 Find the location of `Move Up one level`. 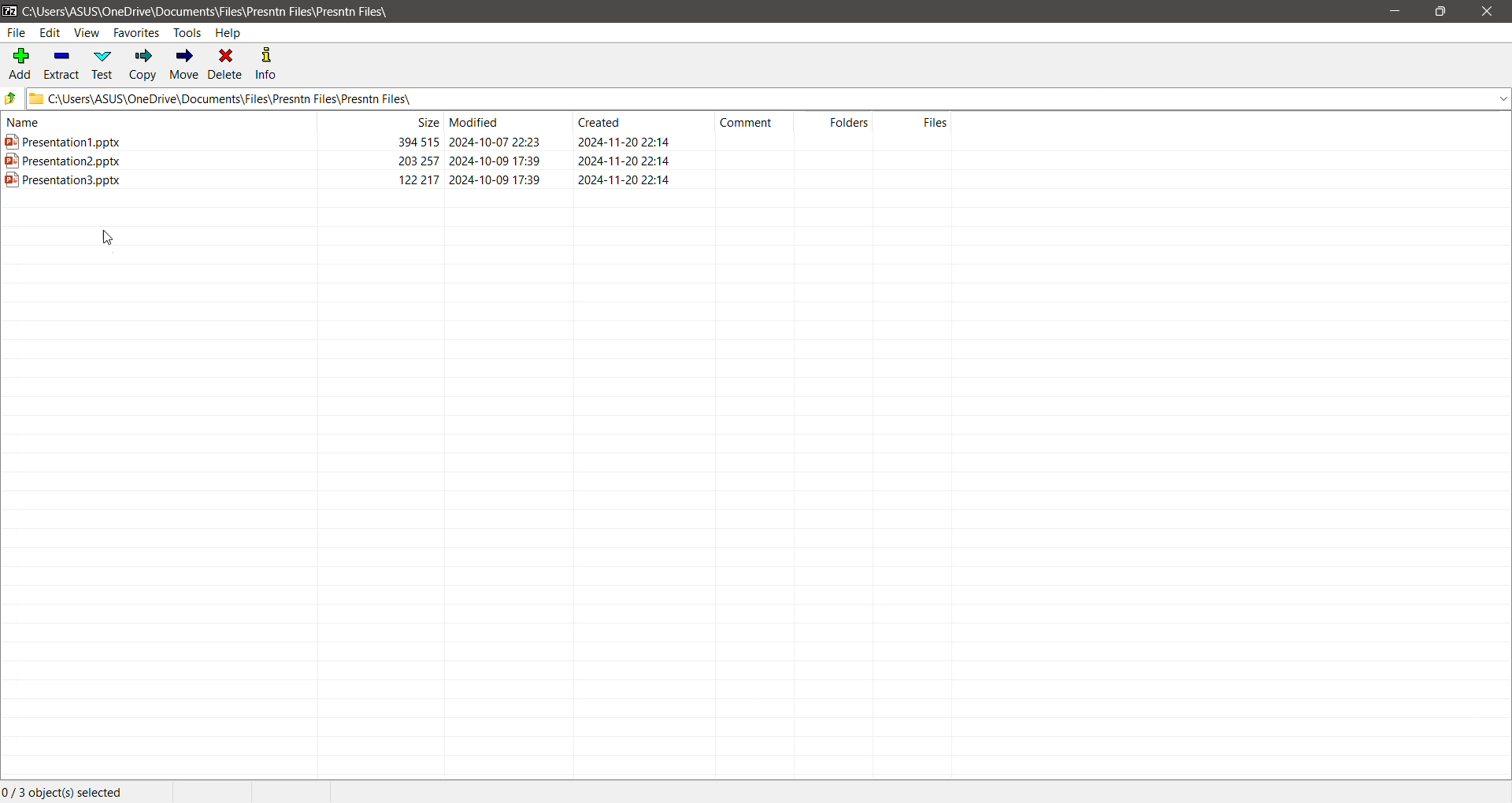

Move Up one level is located at coordinates (11, 98).